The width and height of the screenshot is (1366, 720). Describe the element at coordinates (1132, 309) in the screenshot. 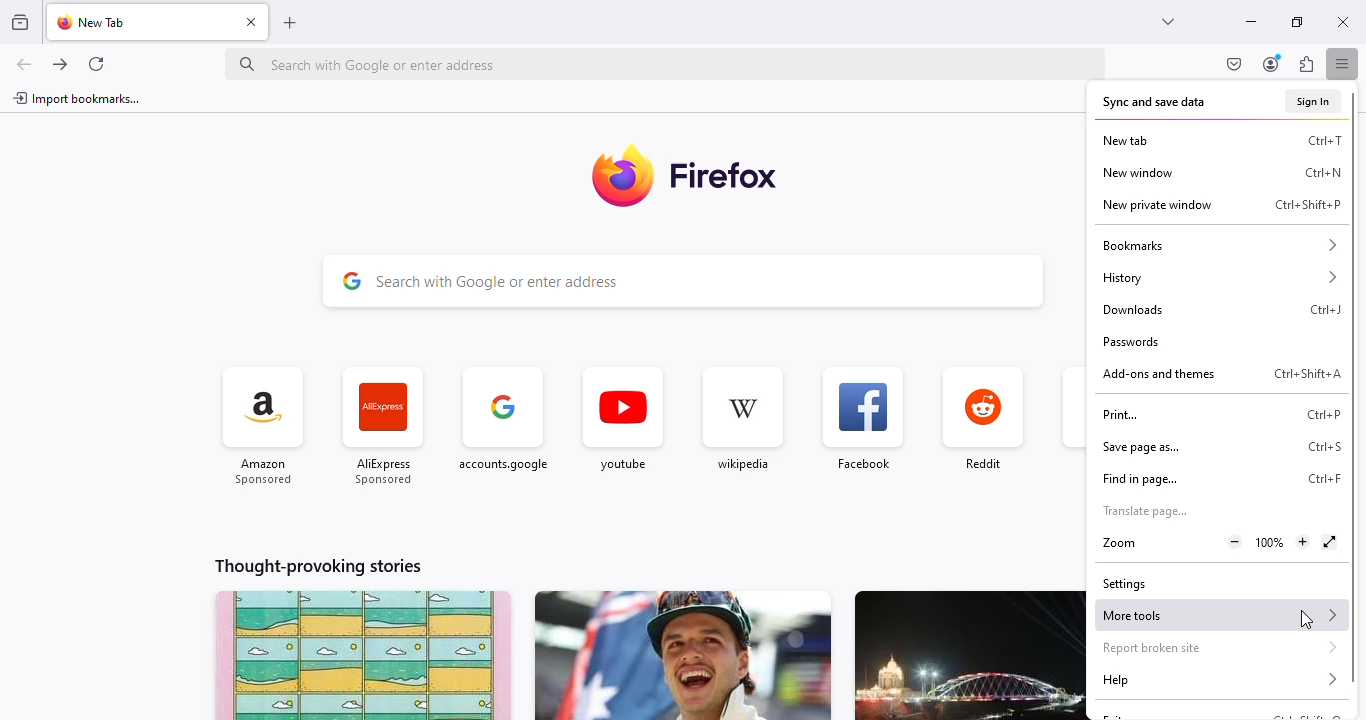

I see `downloads` at that location.